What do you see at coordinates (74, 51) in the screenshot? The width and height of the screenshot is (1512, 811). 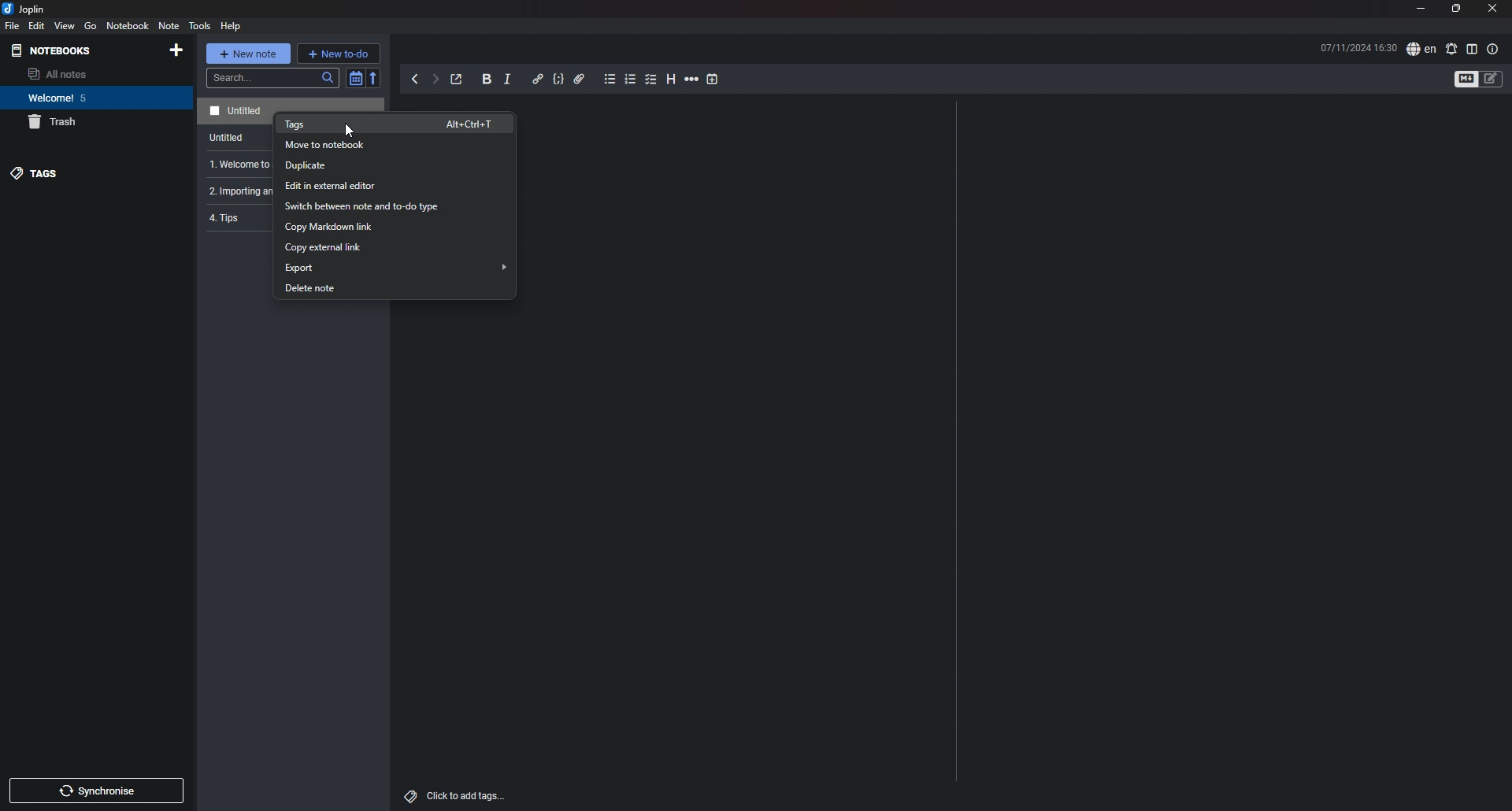 I see `notebooks` at bounding box center [74, 51].